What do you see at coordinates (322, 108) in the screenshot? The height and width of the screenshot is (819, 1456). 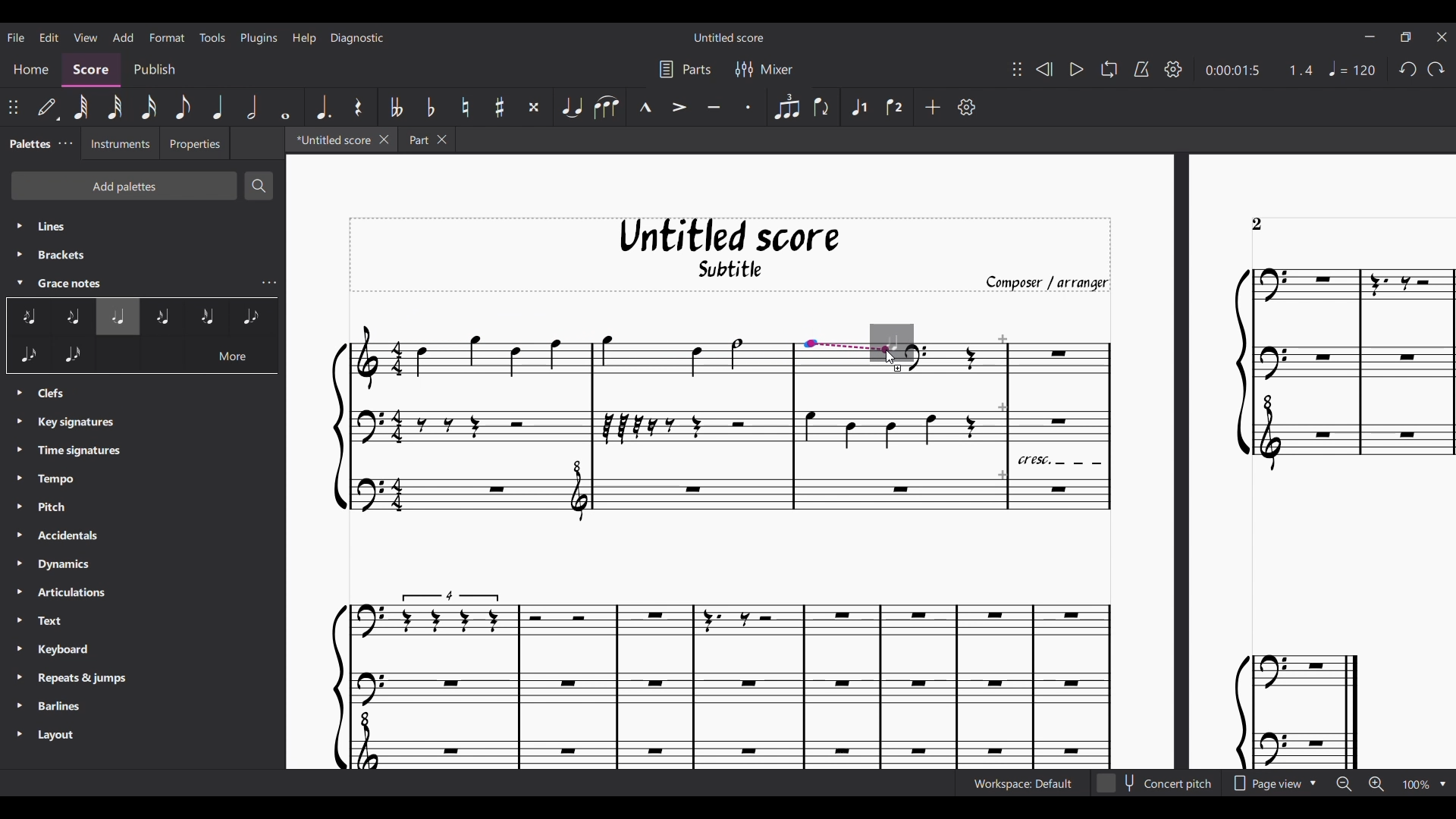 I see `Augmentation dot` at bounding box center [322, 108].